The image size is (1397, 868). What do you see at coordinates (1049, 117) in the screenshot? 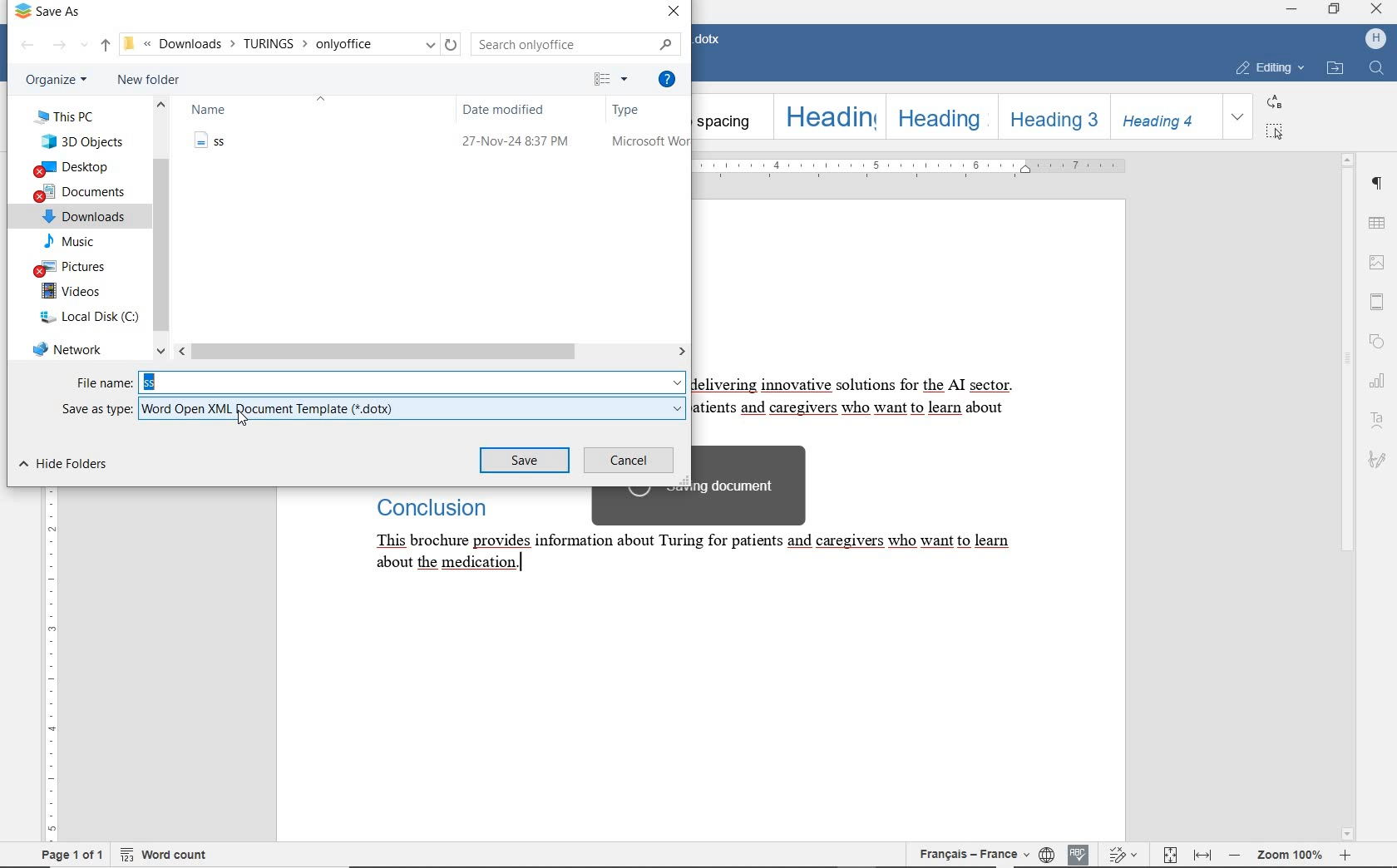
I see `HEADING 3` at bounding box center [1049, 117].